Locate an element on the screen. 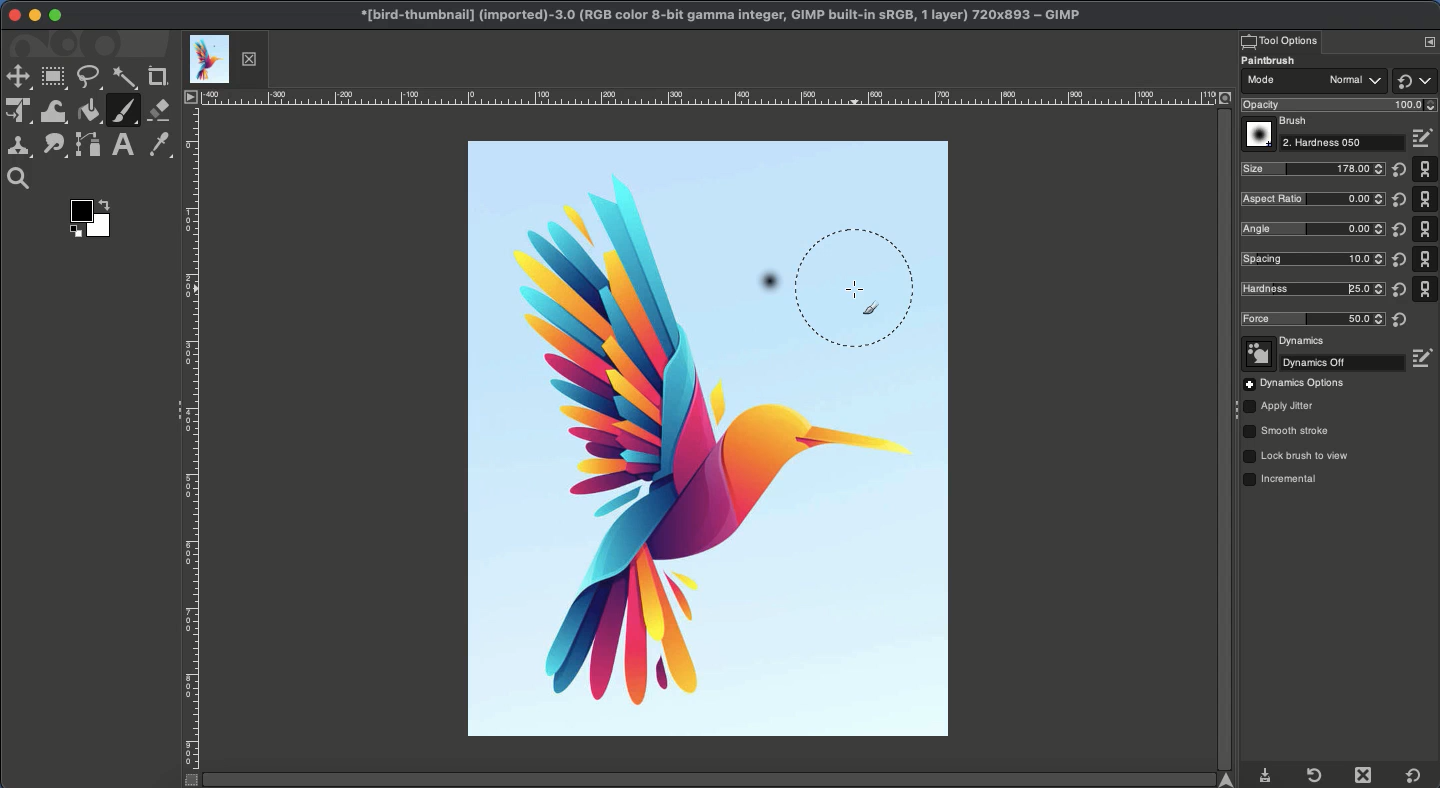 The height and width of the screenshot is (788, 1440). image is located at coordinates (710, 181).